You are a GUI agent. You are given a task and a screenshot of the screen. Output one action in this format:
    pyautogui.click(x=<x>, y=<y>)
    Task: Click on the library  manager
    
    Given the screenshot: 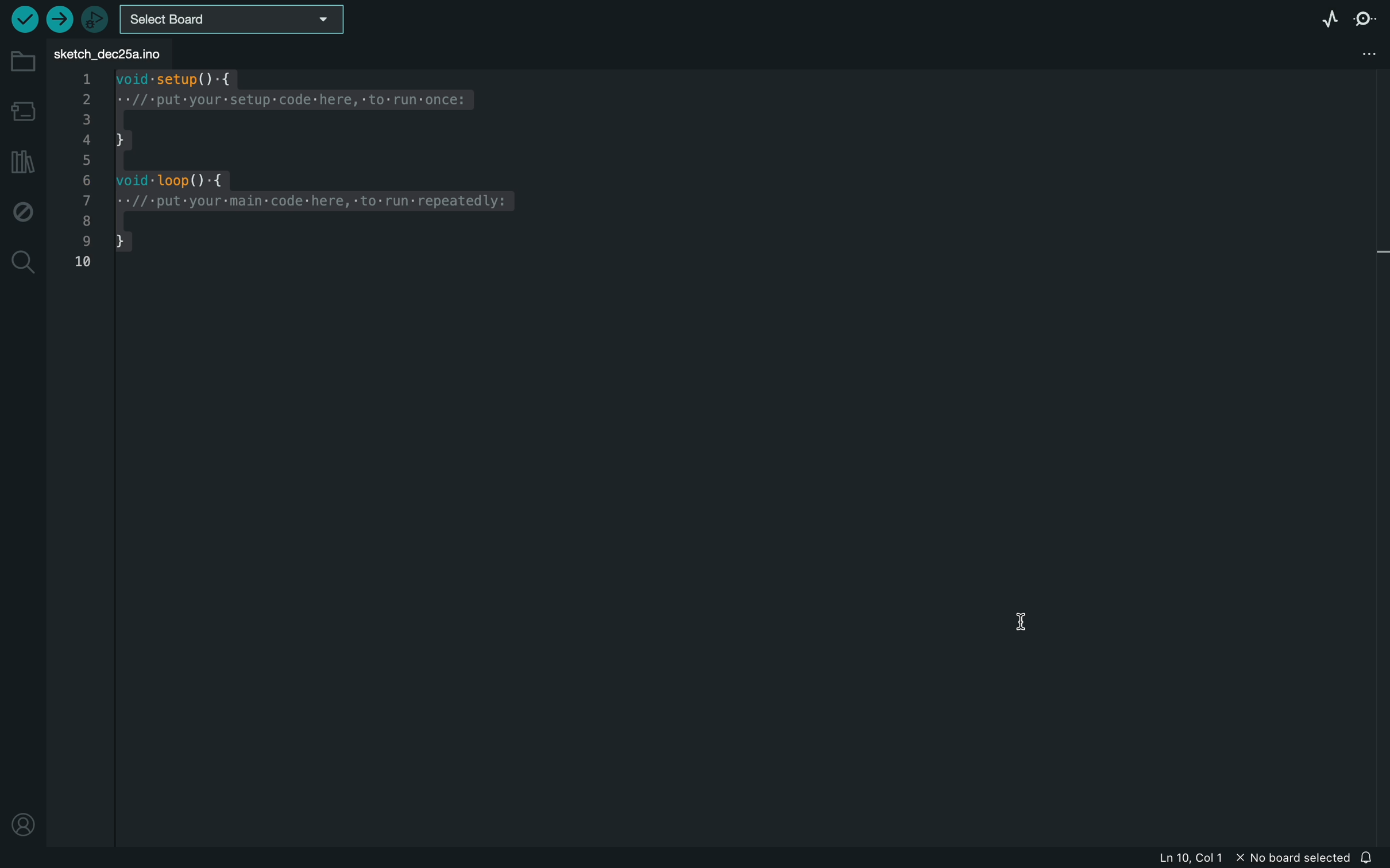 What is the action you would take?
    pyautogui.click(x=23, y=163)
    